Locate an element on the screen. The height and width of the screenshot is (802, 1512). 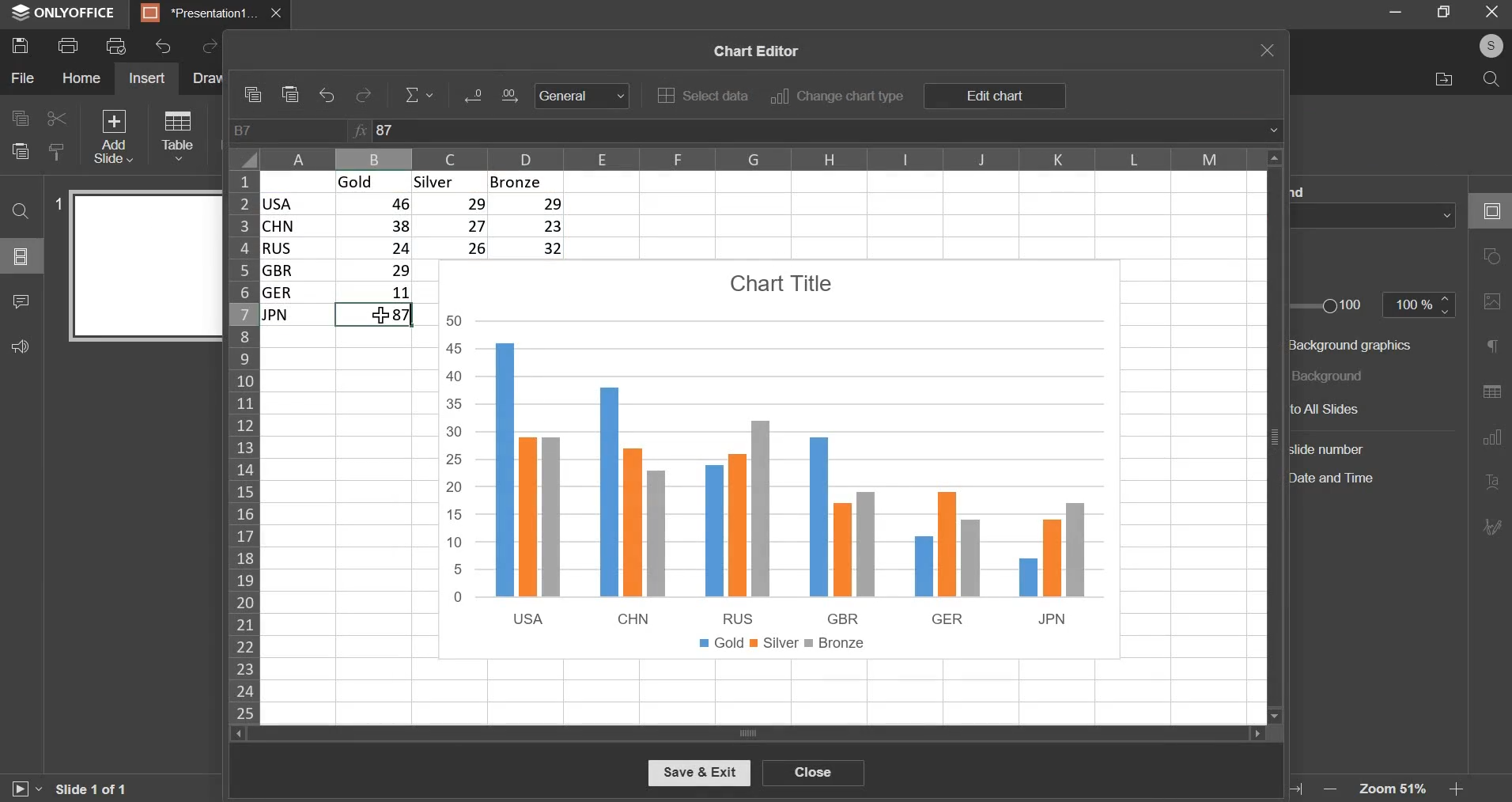
gbr is located at coordinates (297, 271).